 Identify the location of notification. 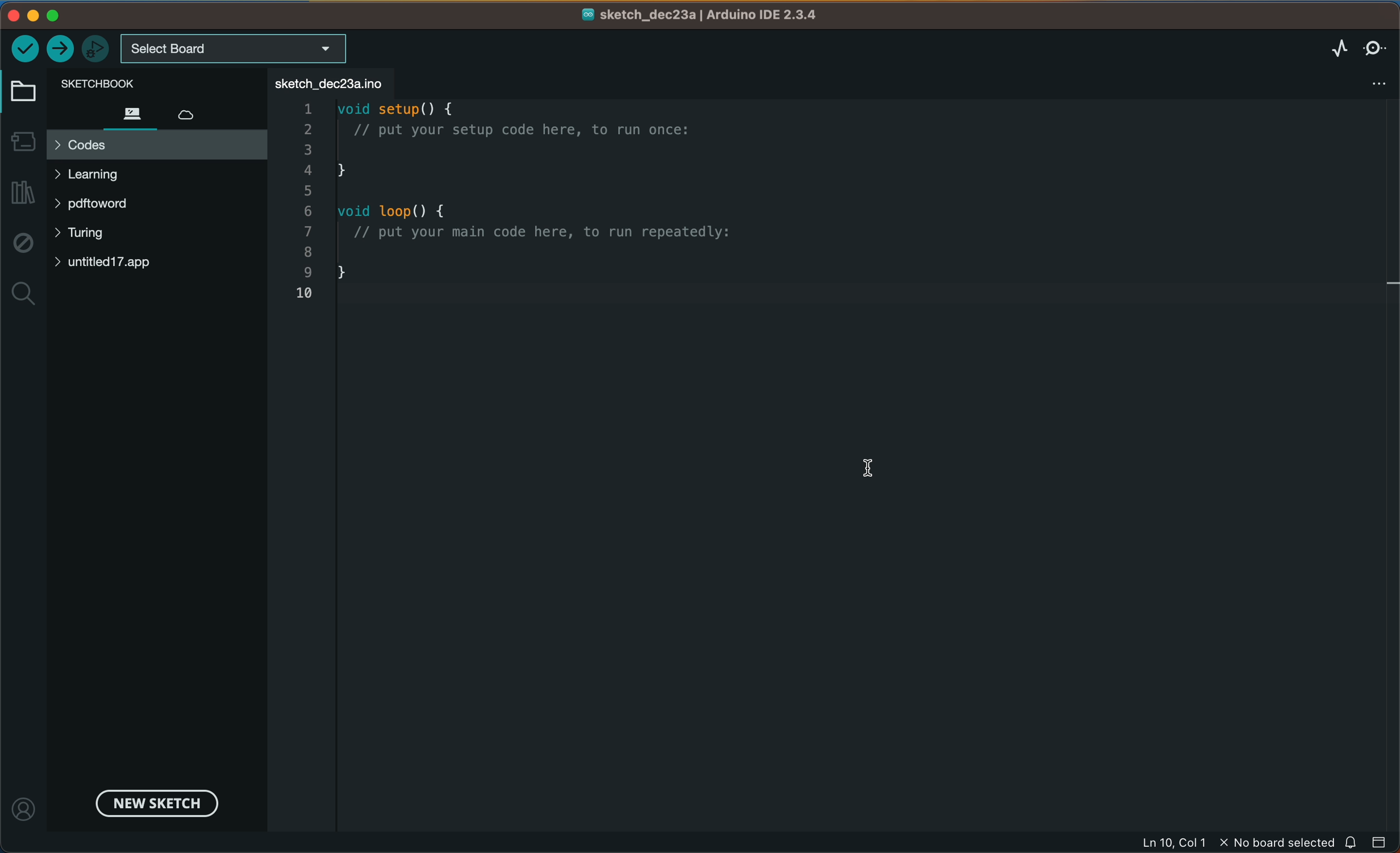
(1353, 842).